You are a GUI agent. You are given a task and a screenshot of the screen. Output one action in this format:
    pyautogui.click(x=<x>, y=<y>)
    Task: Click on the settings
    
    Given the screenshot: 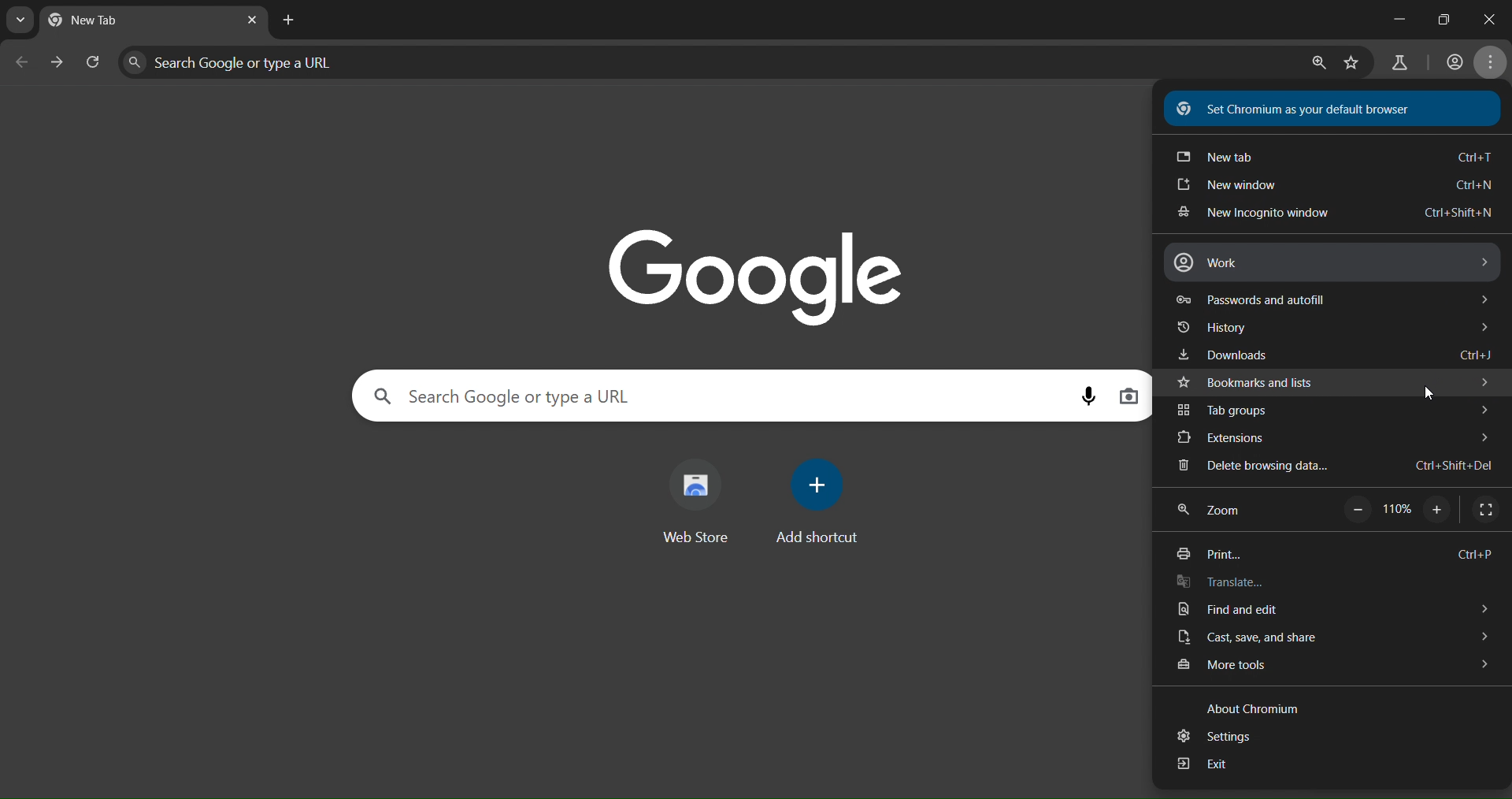 What is the action you would take?
    pyautogui.click(x=1215, y=737)
    